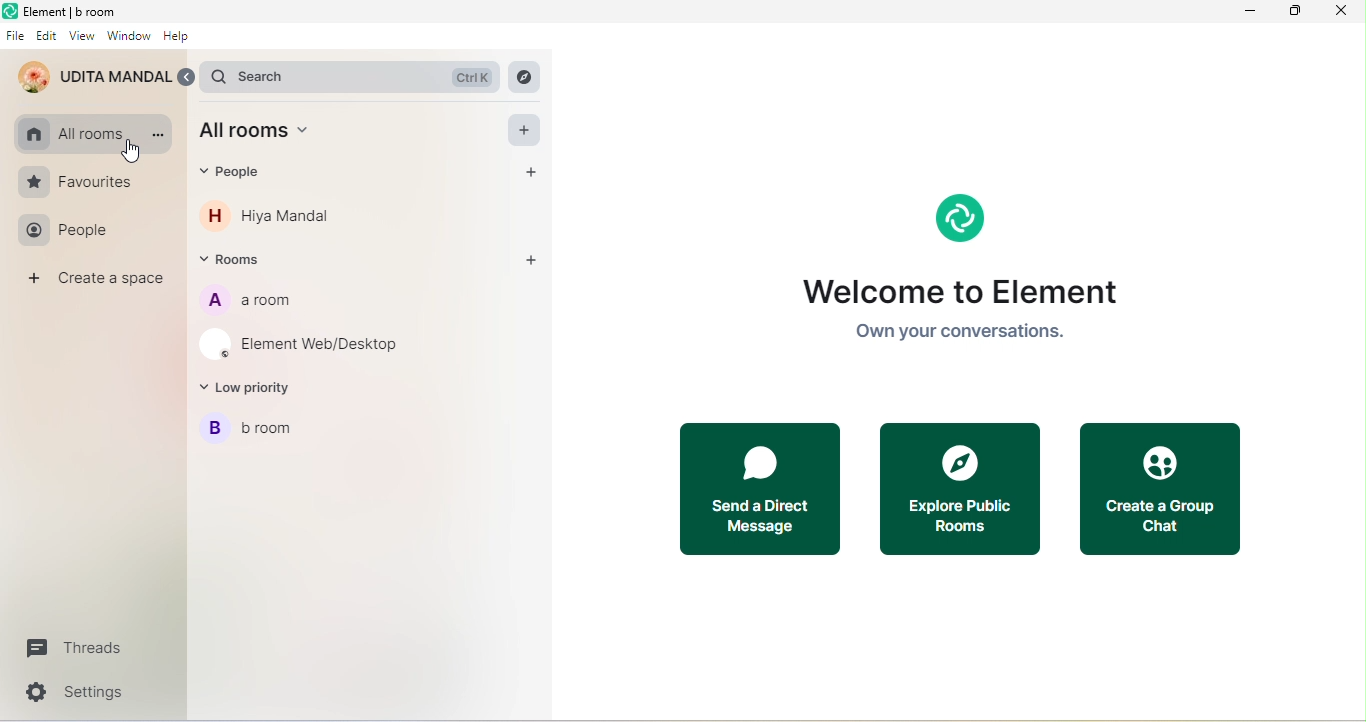 Image resolution: width=1366 pixels, height=722 pixels. Describe the element at coordinates (175, 37) in the screenshot. I see `help` at that location.